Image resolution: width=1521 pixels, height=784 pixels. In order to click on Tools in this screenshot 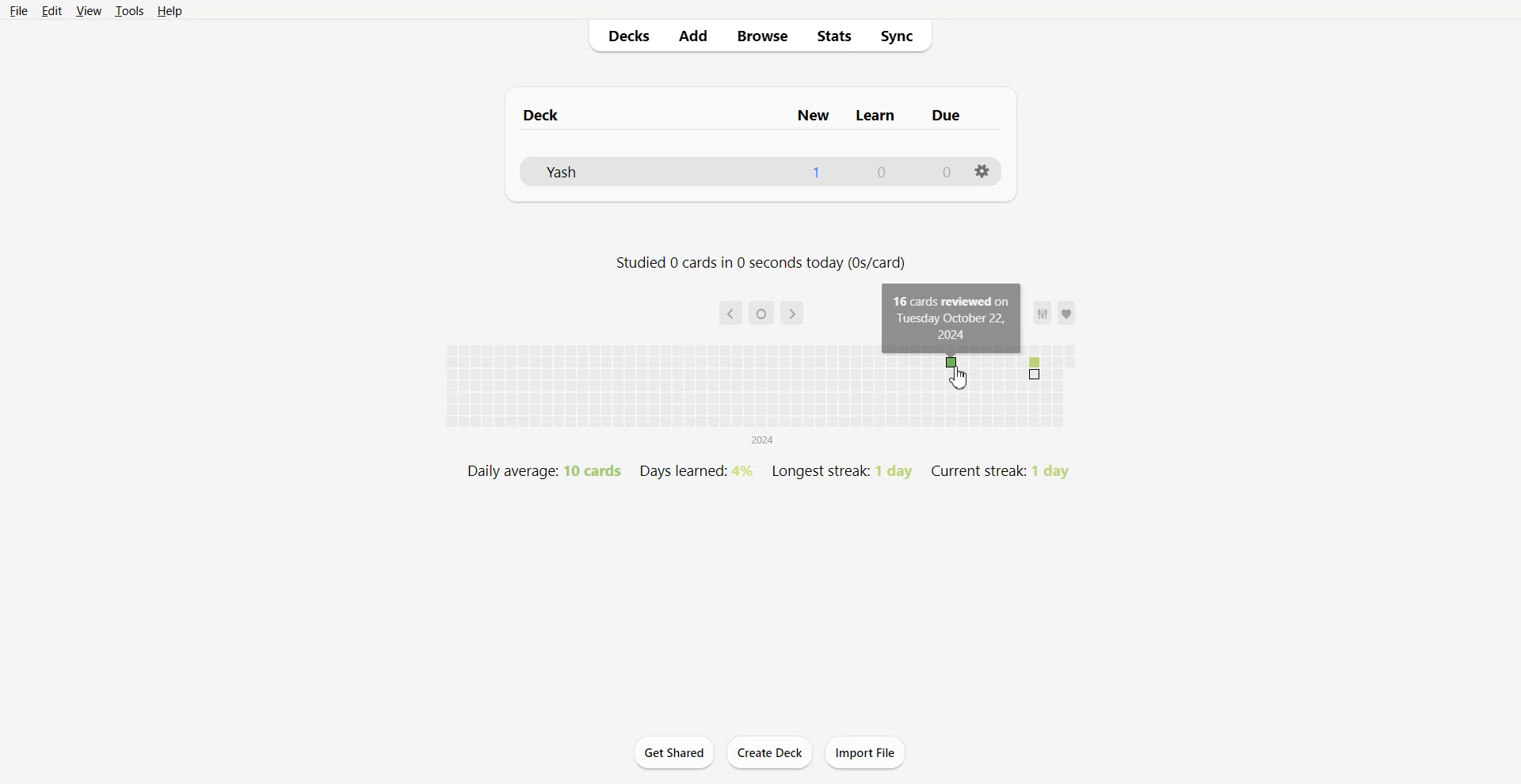, I will do `click(129, 11)`.